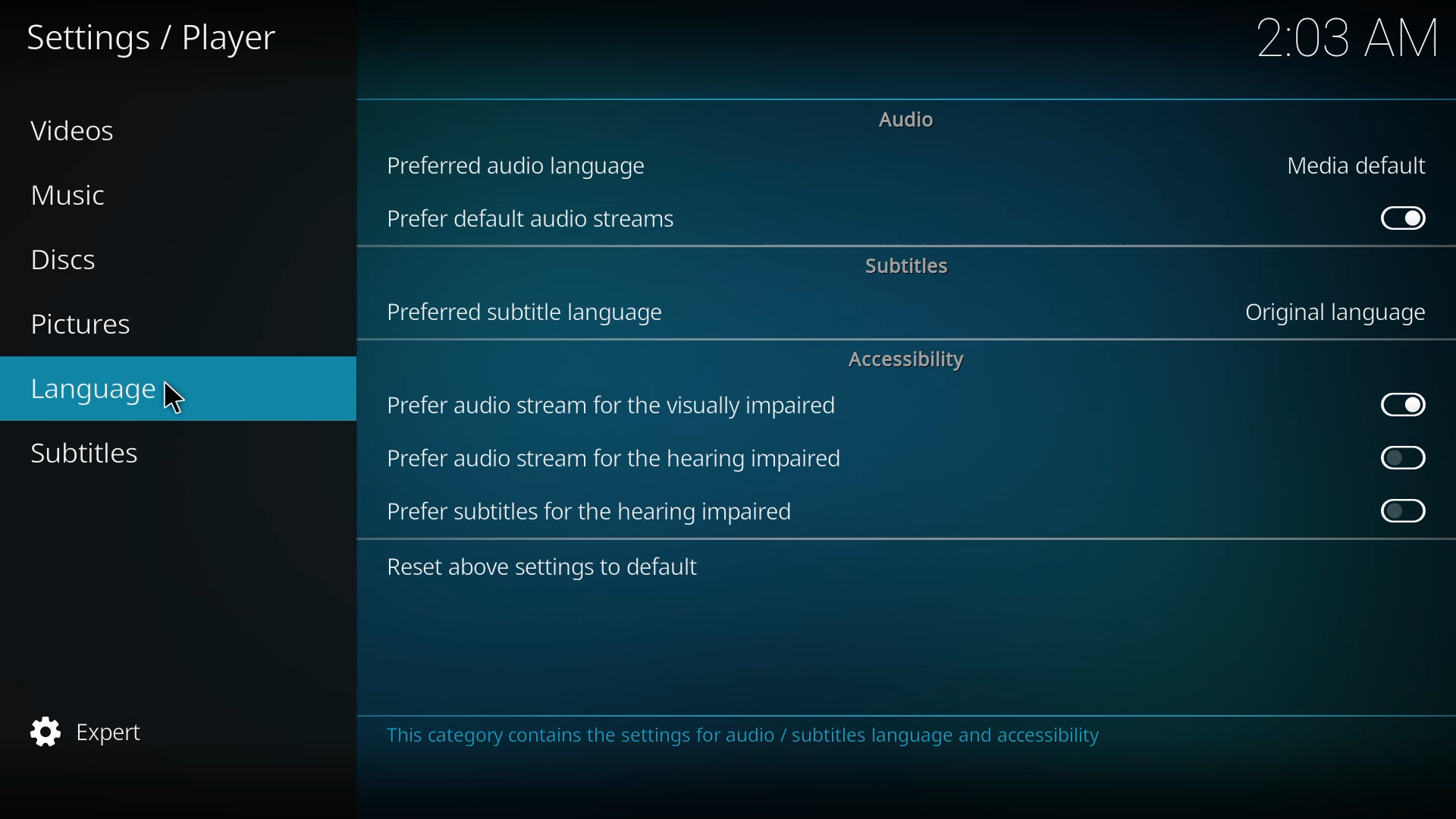 The width and height of the screenshot is (1456, 819). What do you see at coordinates (93, 386) in the screenshot?
I see `language` at bounding box center [93, 386].